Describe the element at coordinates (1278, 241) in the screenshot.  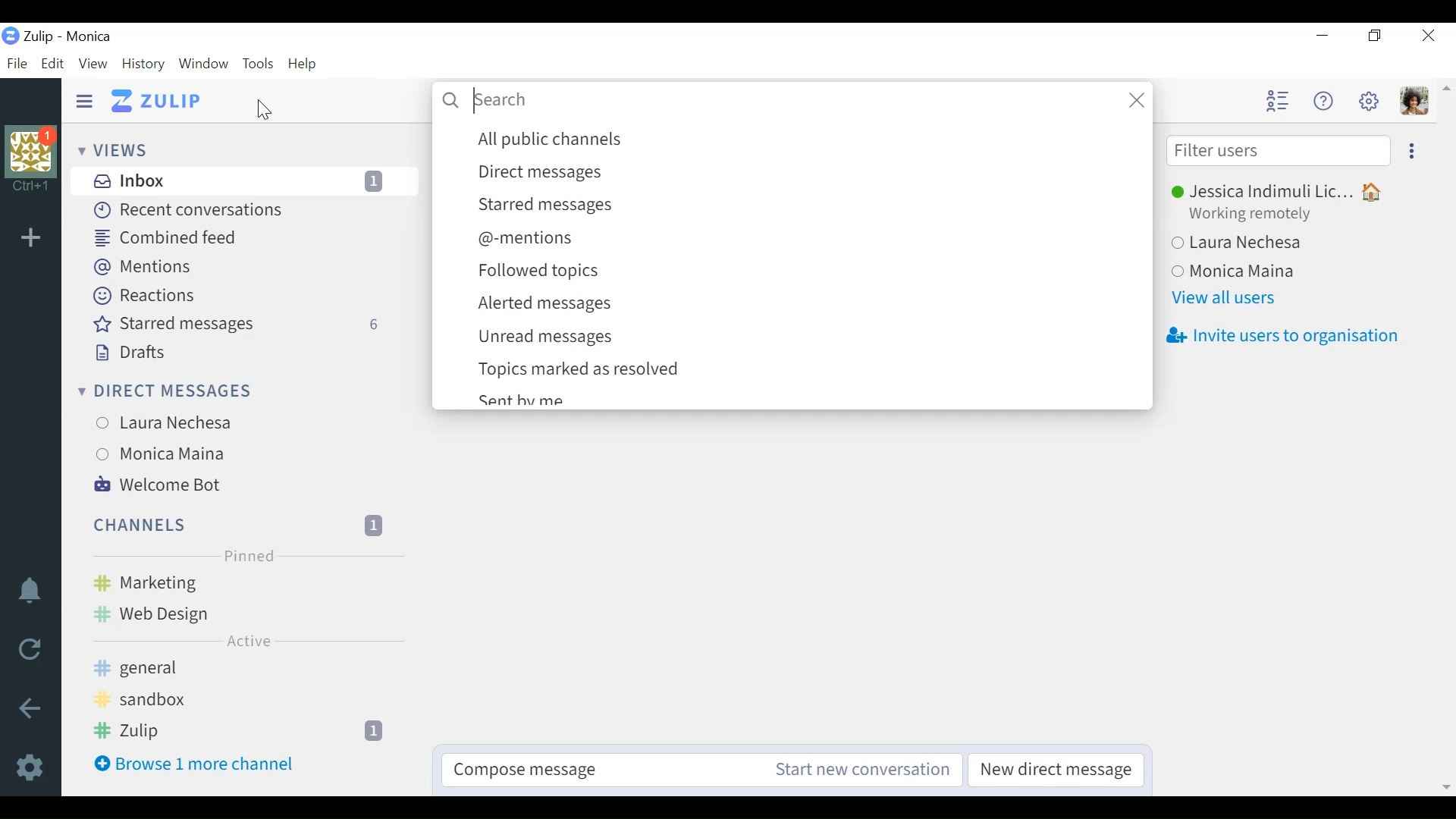
I see `Users` at that location.